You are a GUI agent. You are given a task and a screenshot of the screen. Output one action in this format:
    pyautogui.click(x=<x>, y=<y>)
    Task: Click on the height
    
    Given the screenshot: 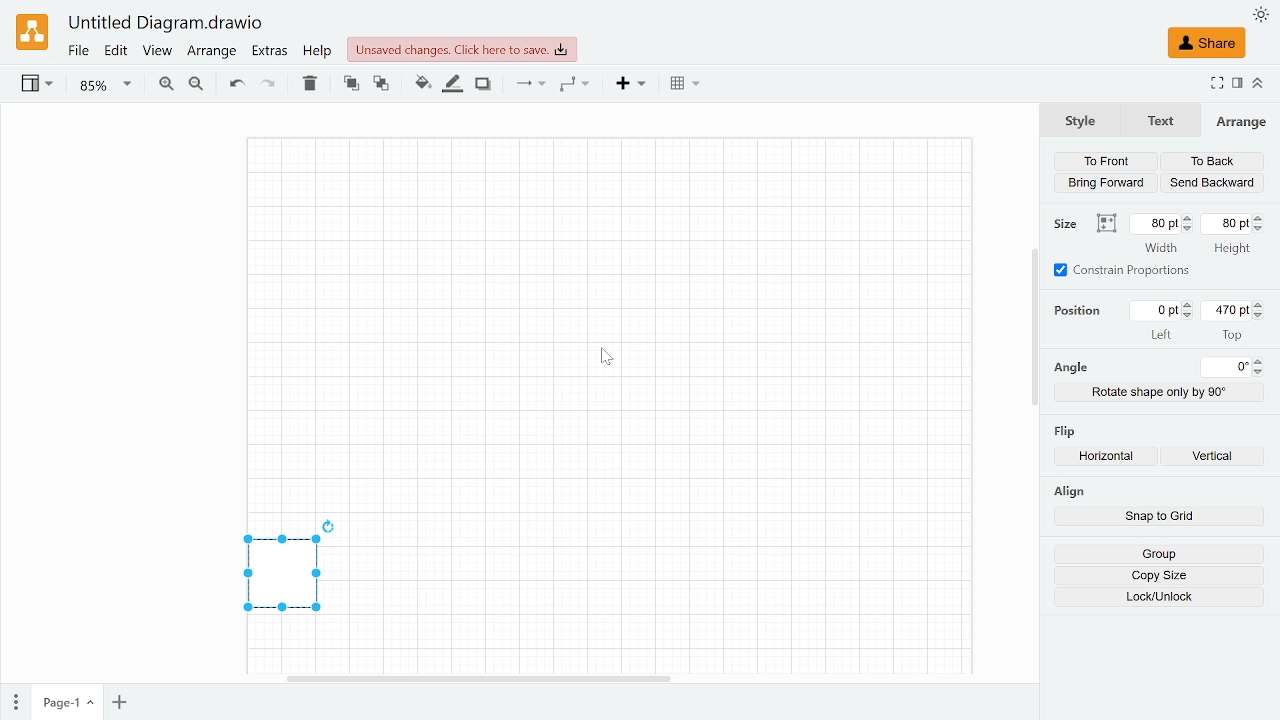 What is the action you would take?
    pyautogui.click(x=1231, y=250)
    